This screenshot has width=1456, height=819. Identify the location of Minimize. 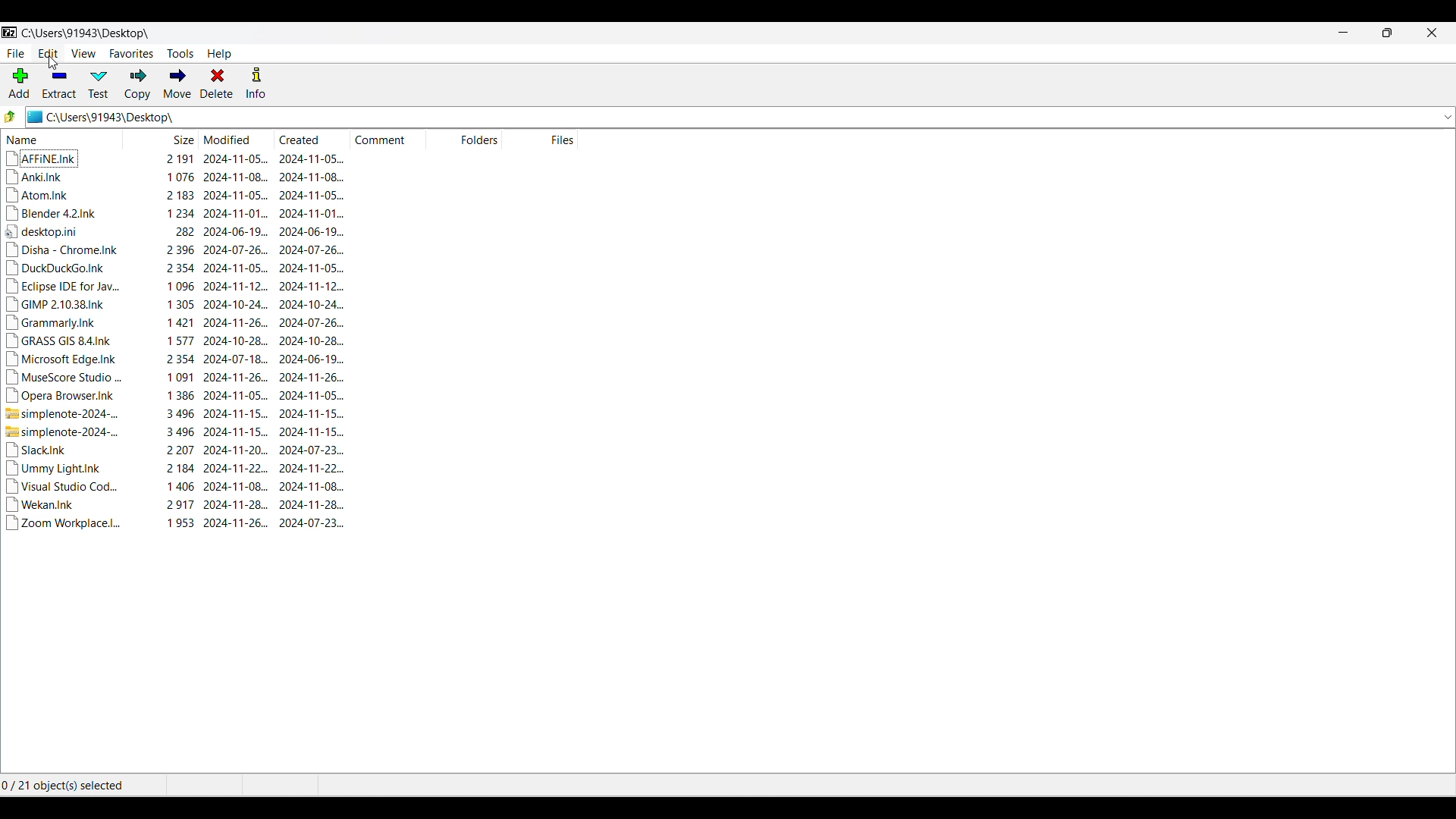
(1344, 33).